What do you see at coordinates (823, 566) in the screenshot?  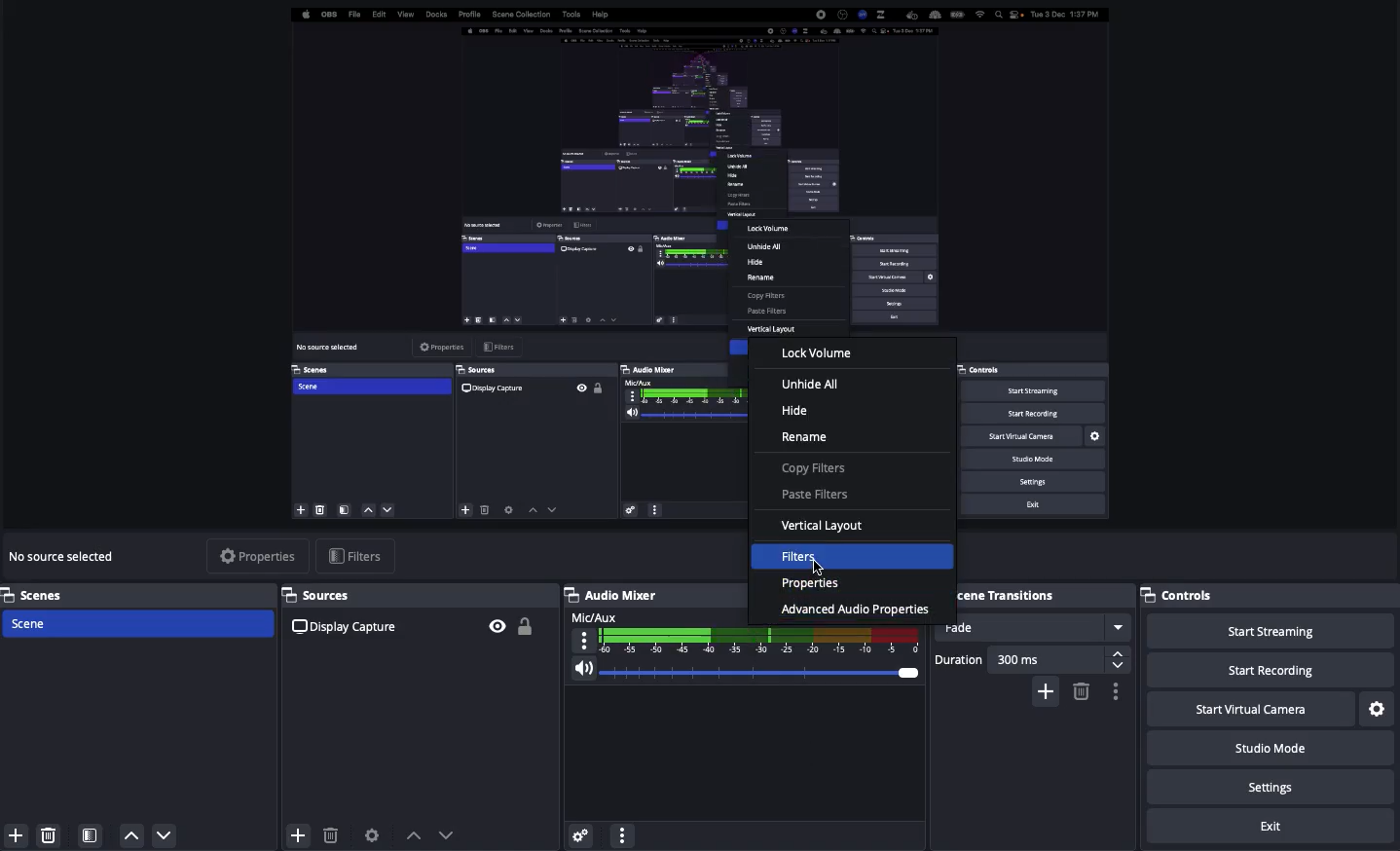 I see `Cursor` at bounding box center [823, 566].